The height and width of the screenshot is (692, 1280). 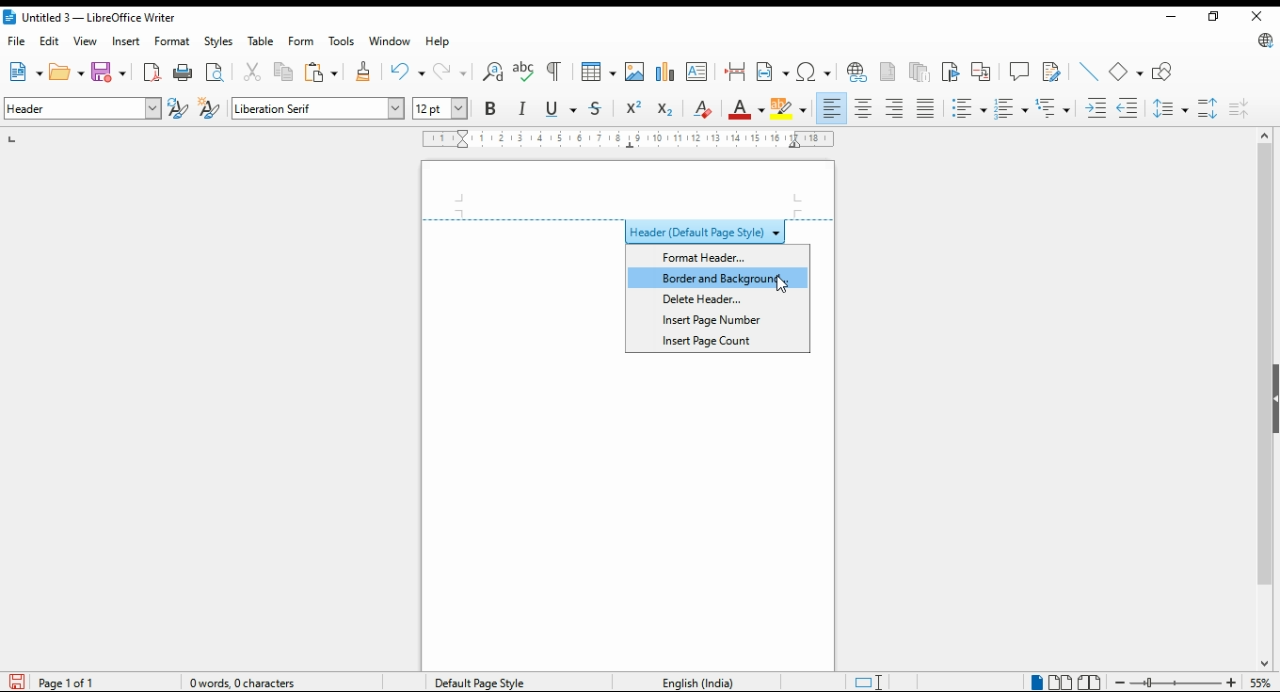 I want to click on insert special character, so click(x=813, y=72).